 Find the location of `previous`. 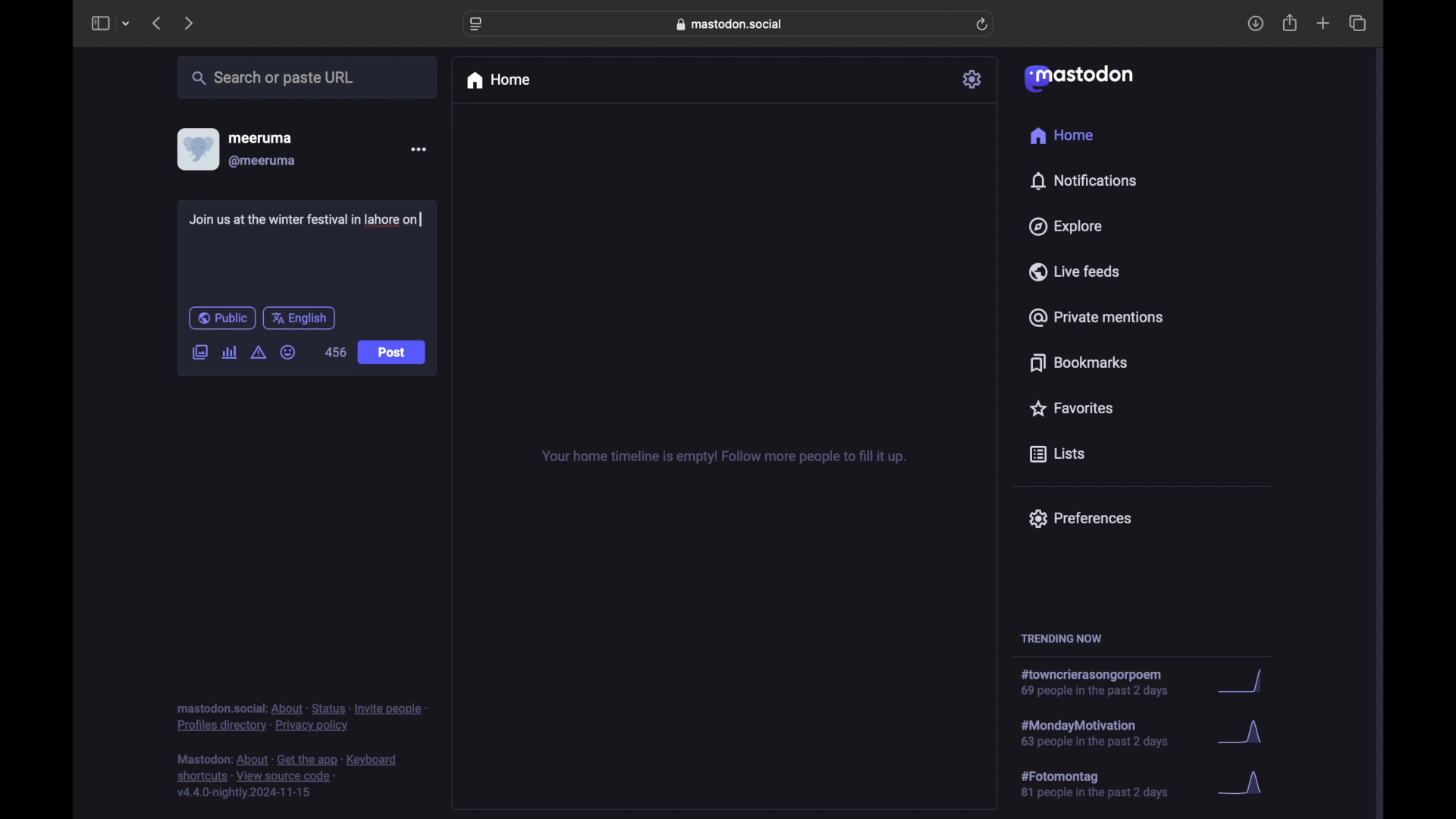

previous is located at coordinates (156, 23).